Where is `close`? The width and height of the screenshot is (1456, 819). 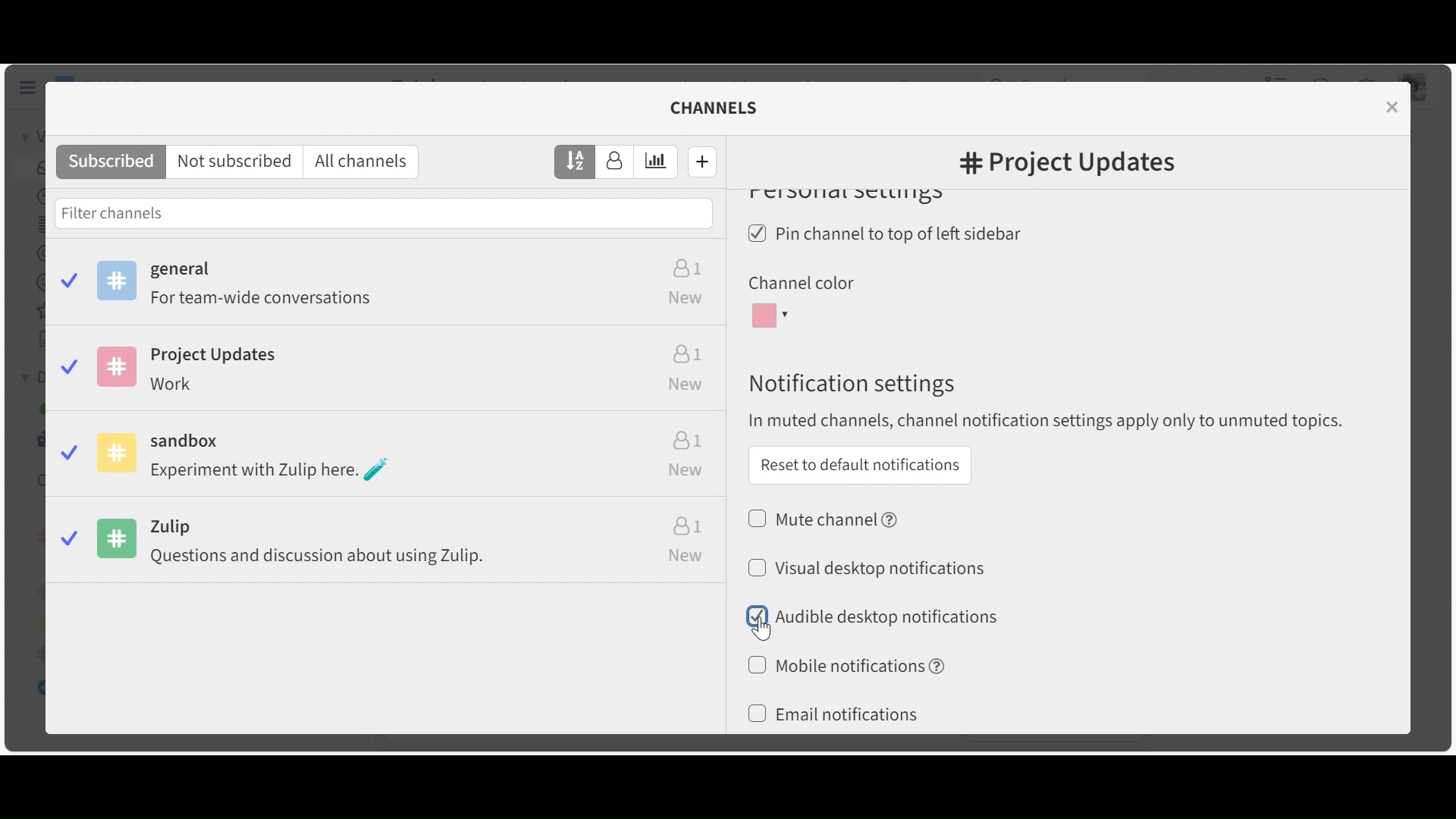
close is located at coordinates (1395, 106).